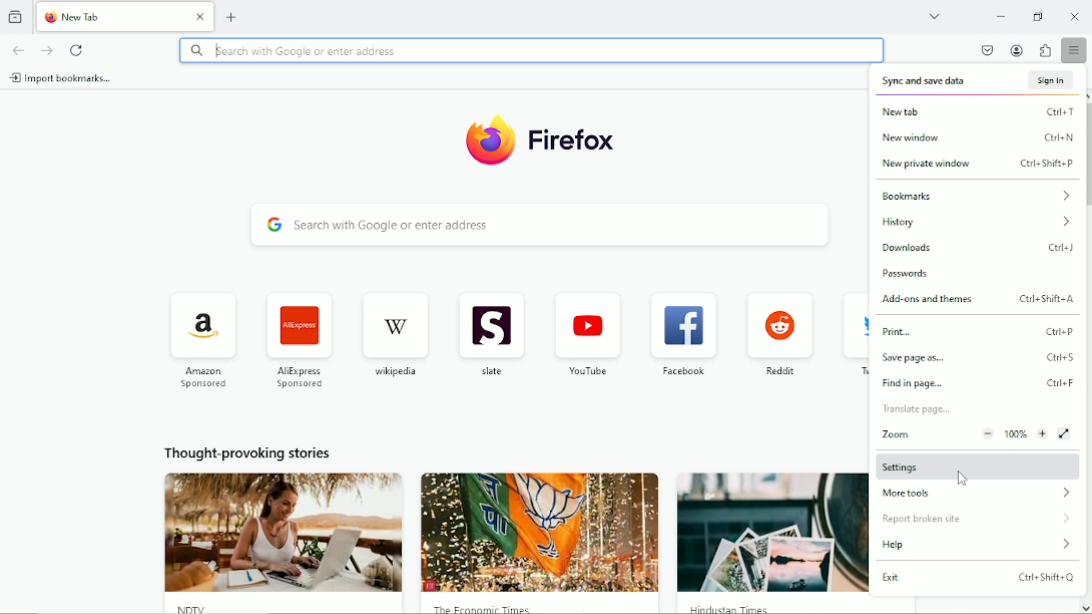 The image size is (1092, 614). Describe the element at coordinates (976, 299) in the screenshot. I see `Add-ons and themes` at that location.